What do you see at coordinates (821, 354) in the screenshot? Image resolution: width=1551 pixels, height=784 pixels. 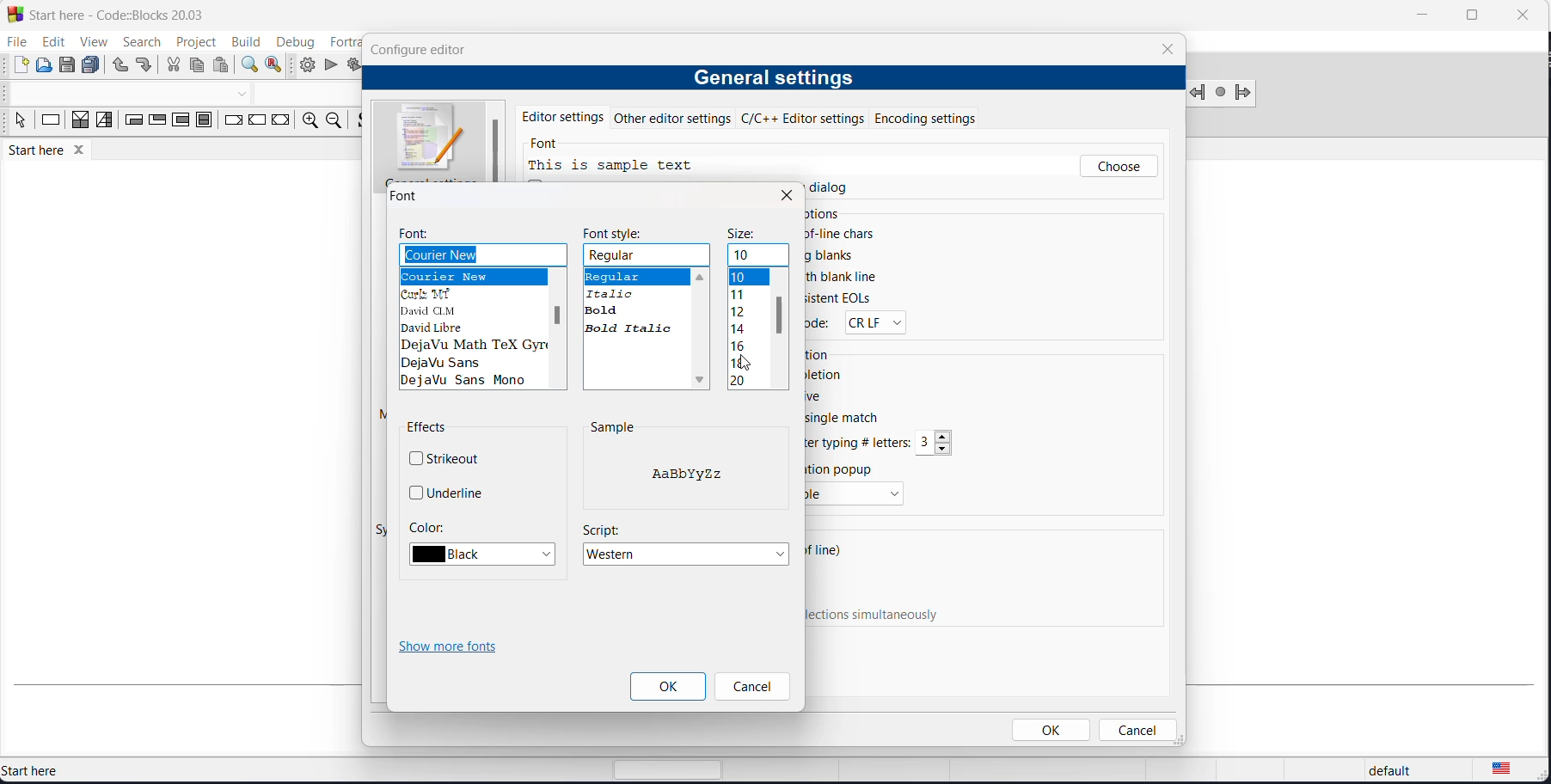 I see `ition` at bounding box center [821, 354].